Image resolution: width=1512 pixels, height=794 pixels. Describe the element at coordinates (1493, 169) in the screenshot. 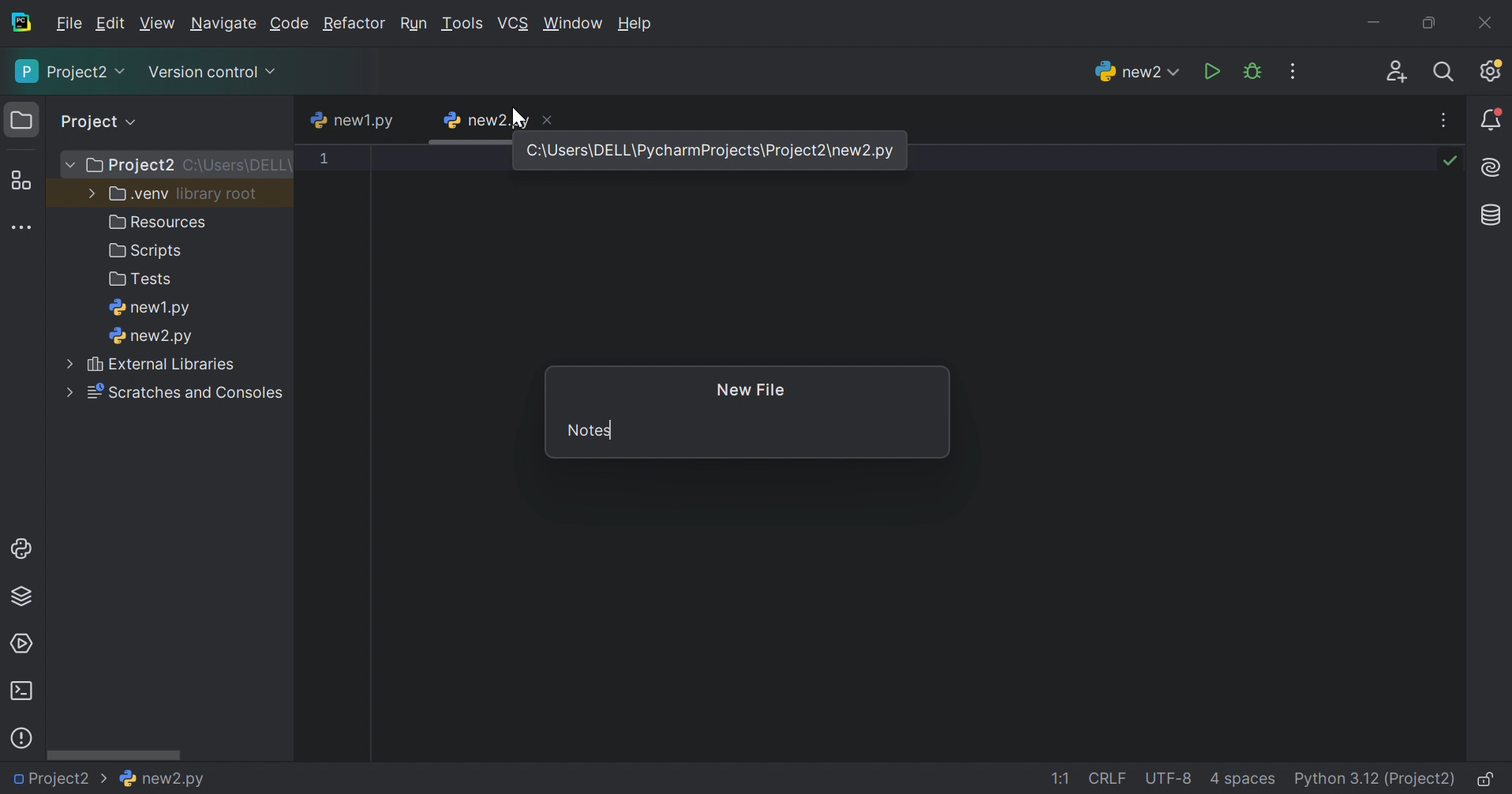

I see `AI Assistant` at that location.